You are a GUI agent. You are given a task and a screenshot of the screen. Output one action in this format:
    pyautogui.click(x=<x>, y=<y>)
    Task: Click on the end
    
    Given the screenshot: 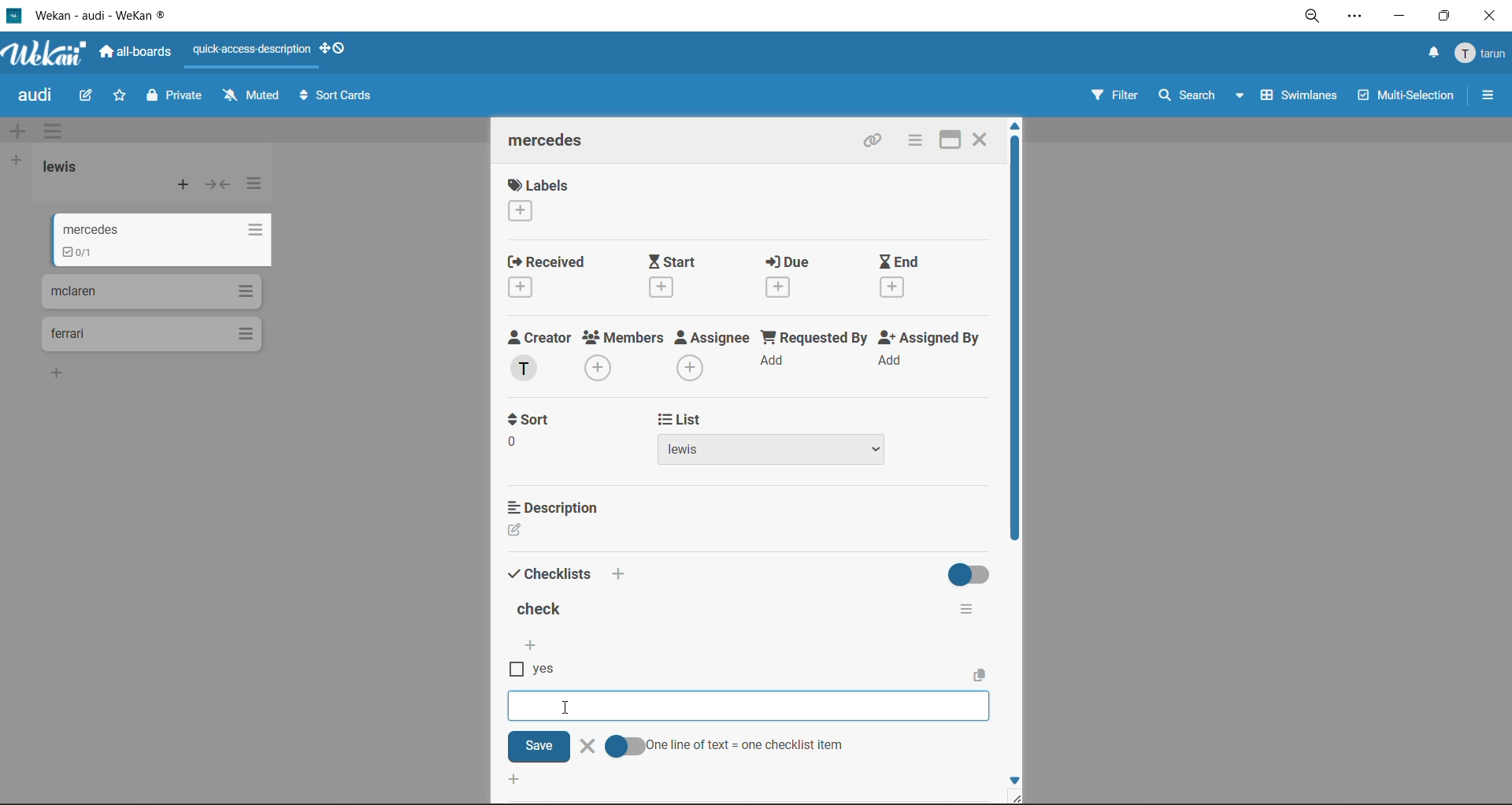 What is the action you would take?
    pyautogui.click(x=902, y=277)
    